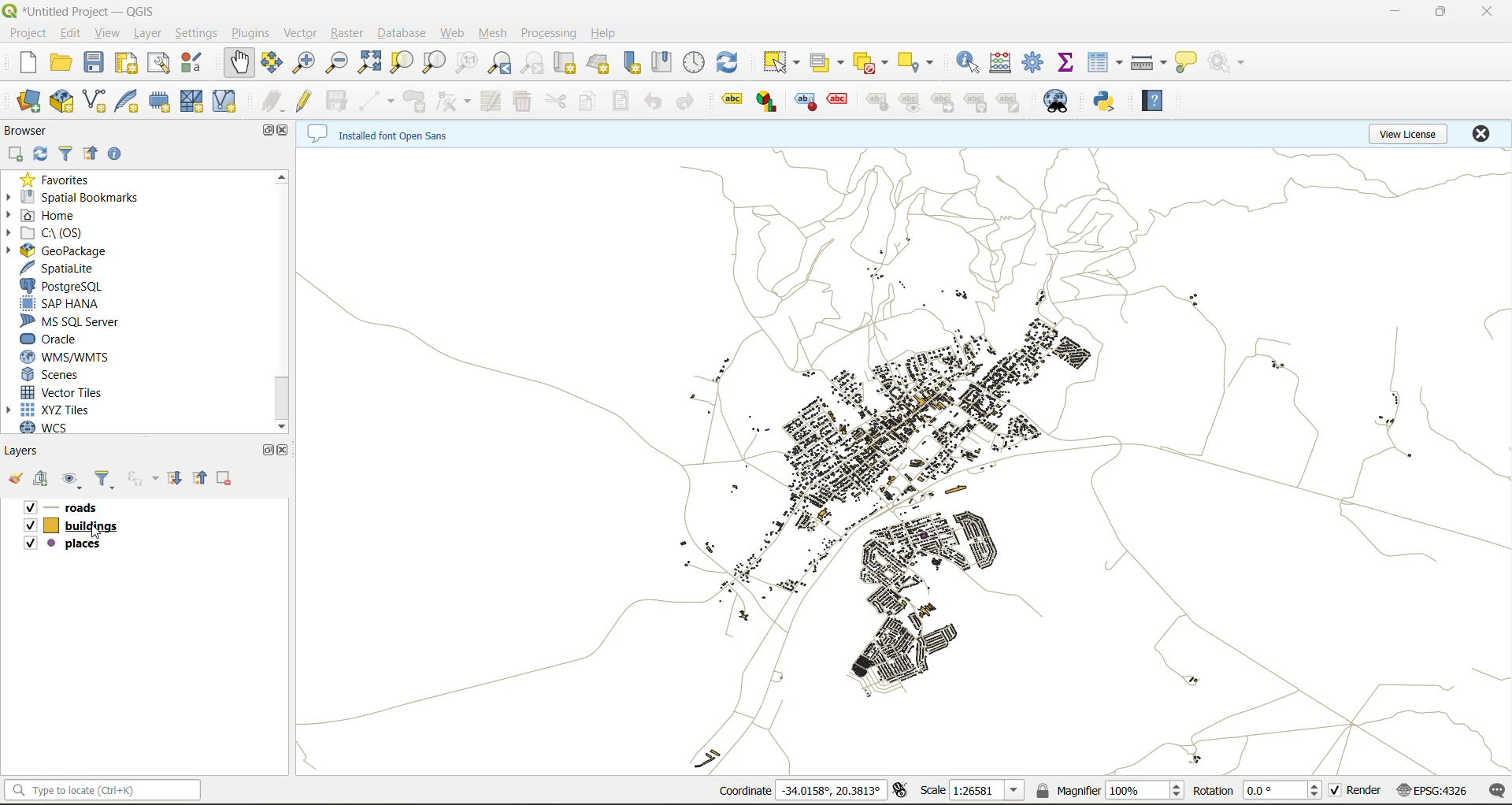  I want to click on places layer, so click(80, 545).